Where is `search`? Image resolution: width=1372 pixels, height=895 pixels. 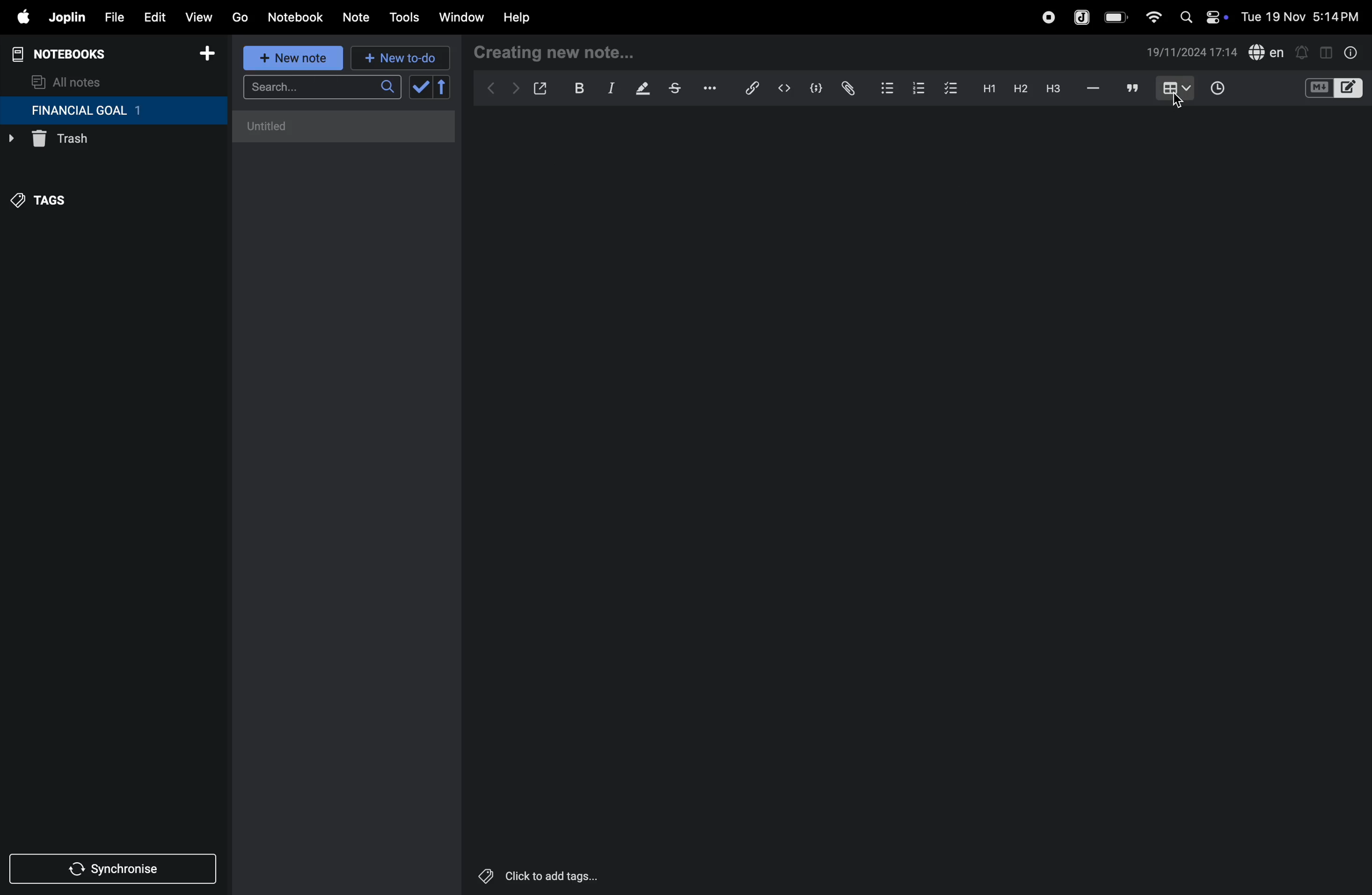 search is located at coordinates (322, 87).